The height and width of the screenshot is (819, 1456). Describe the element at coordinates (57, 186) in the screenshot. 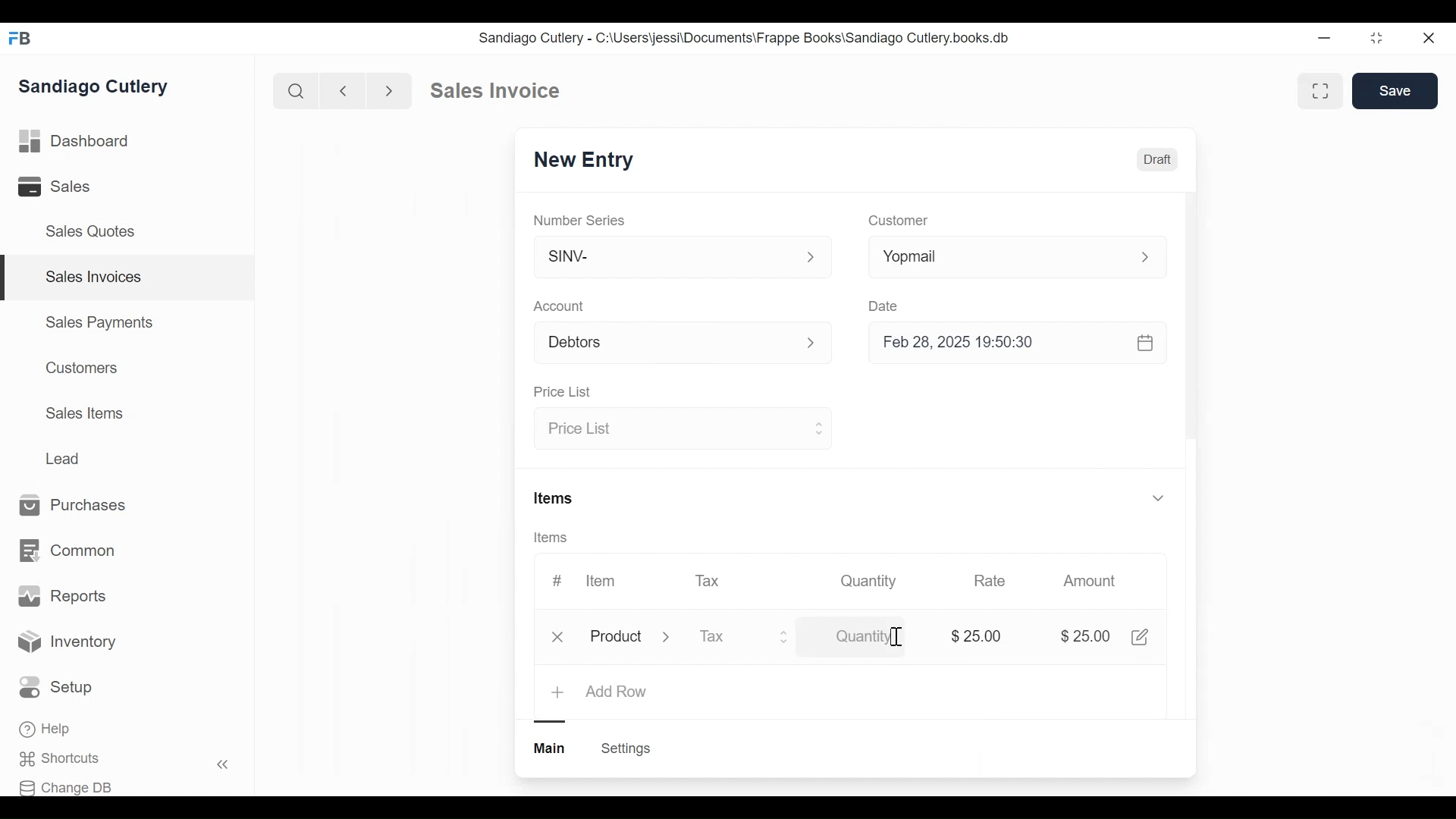

I see `Sales` at that location.